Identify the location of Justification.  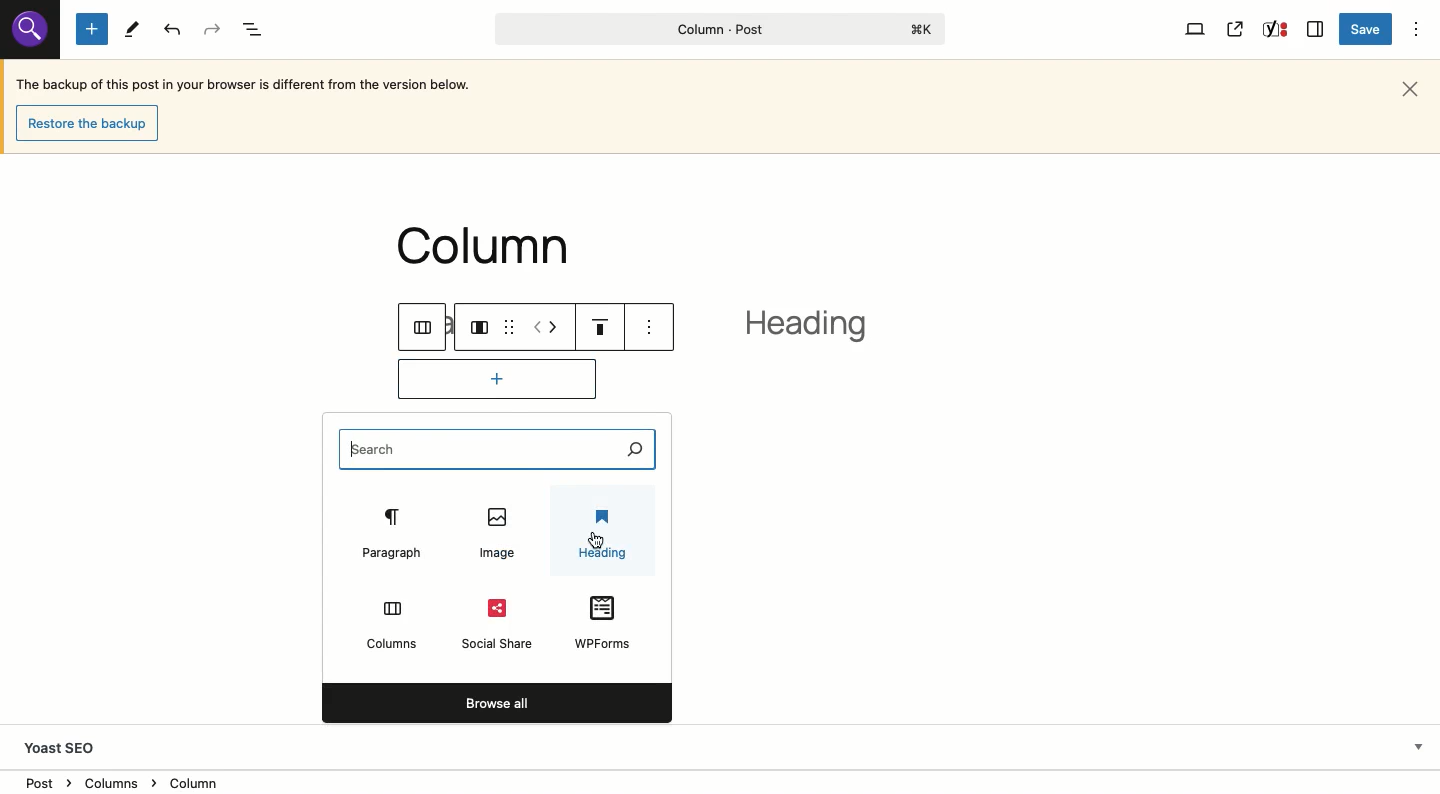
(600, 325).